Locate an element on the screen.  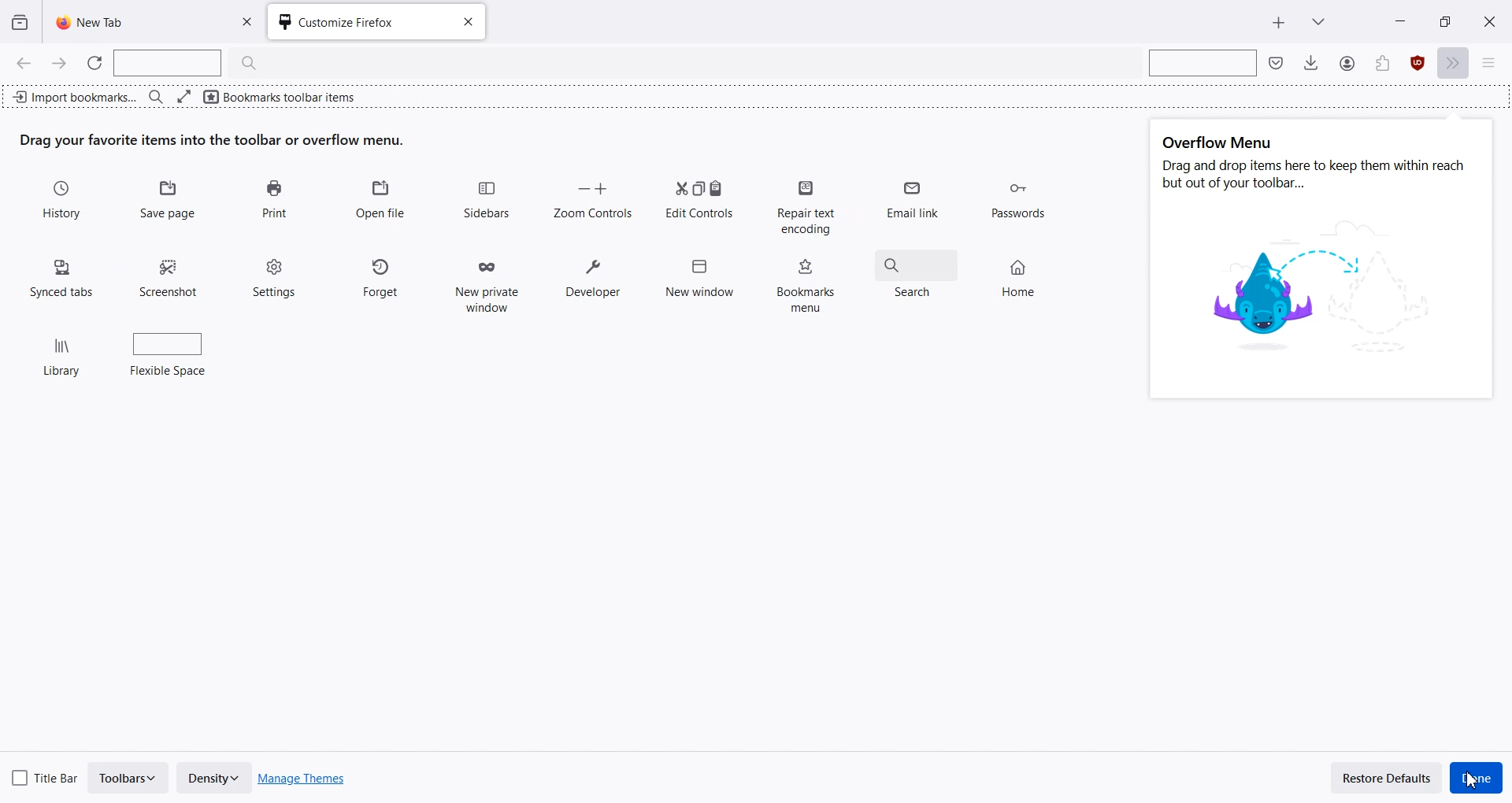
Density is located at coordinates (213, 778).